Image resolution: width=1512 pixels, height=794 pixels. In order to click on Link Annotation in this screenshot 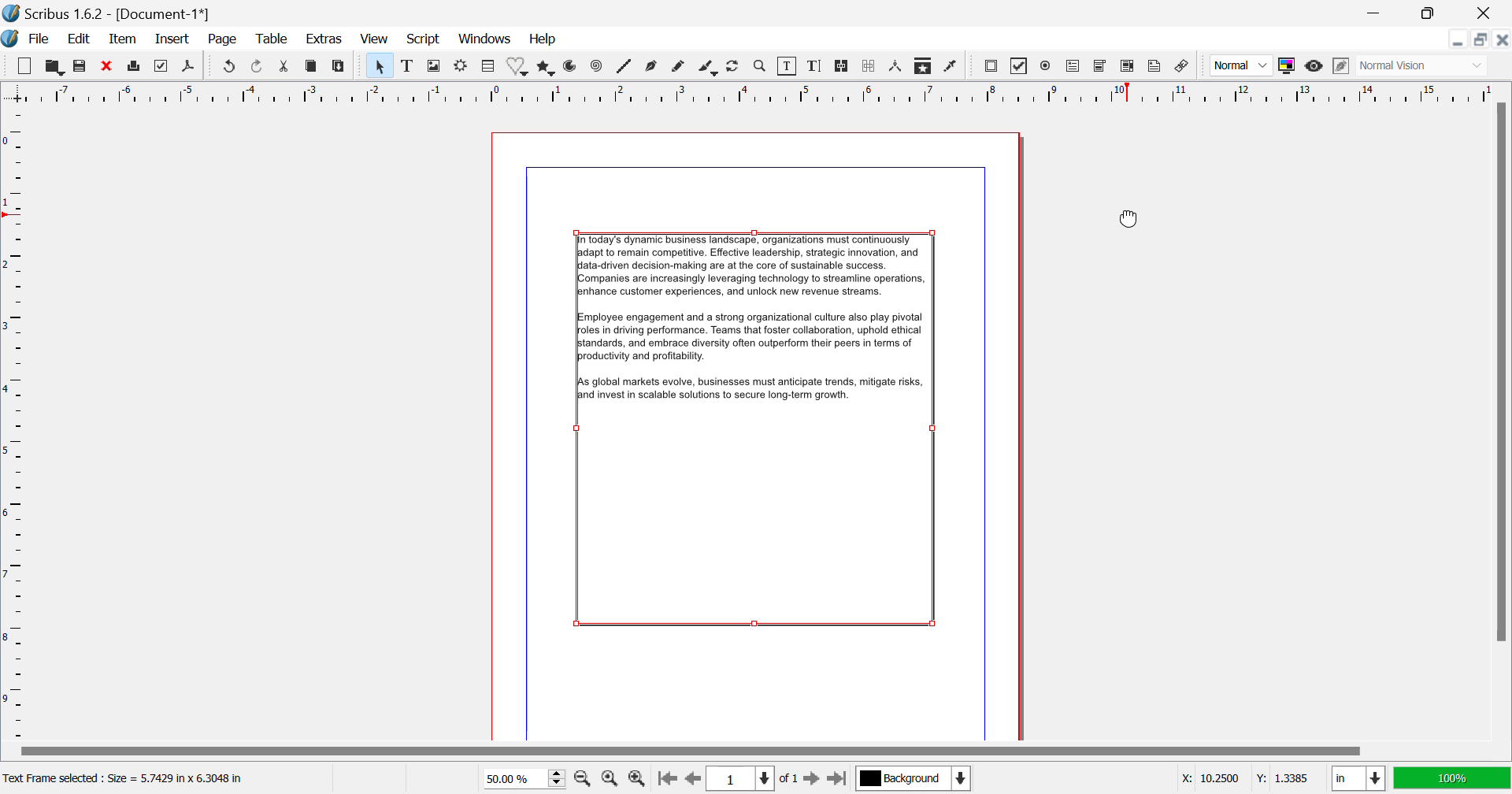, I will do `click(1184, 68)`.